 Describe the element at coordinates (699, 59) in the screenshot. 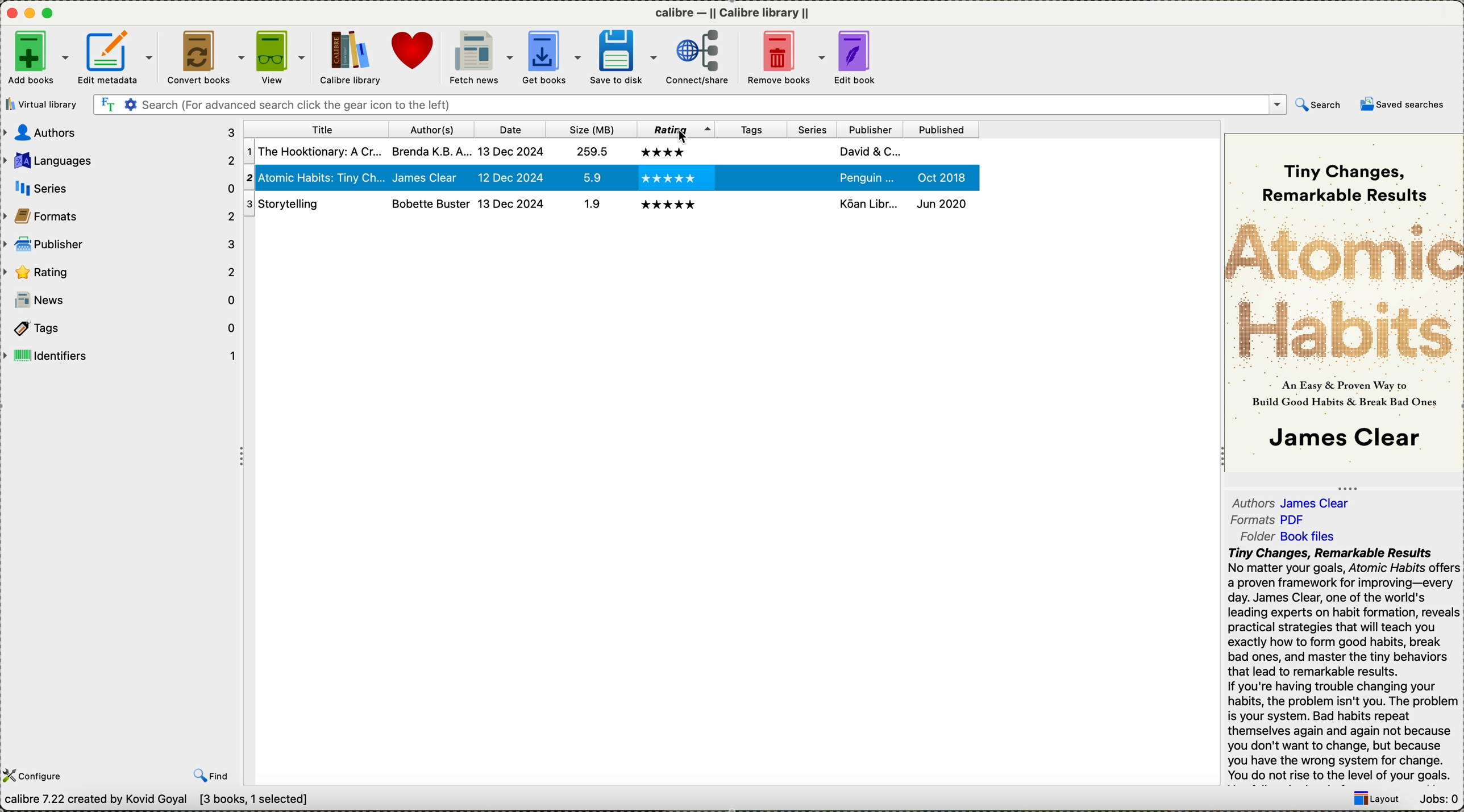

I see `connect/share` at that location.